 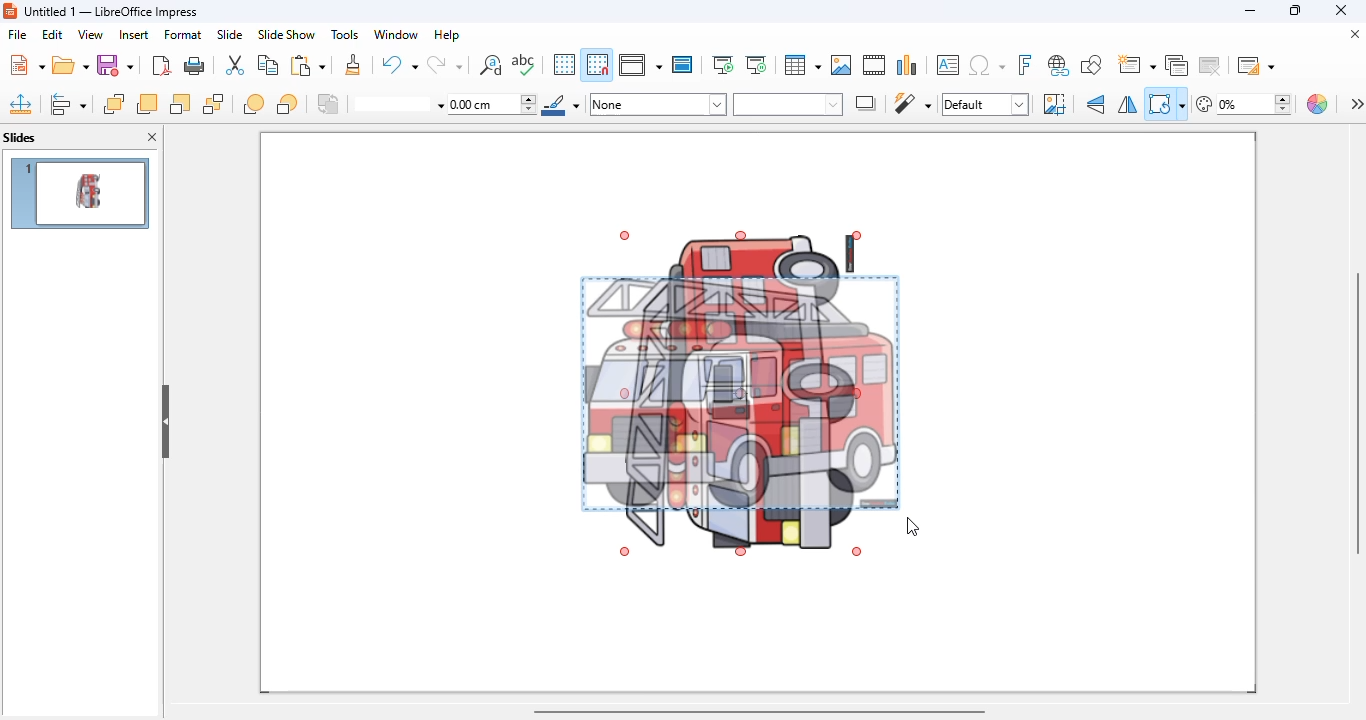 What do you see at coordinates (10, 10) in the screenshot?
I see `logo` at bounding box center [10, 10].